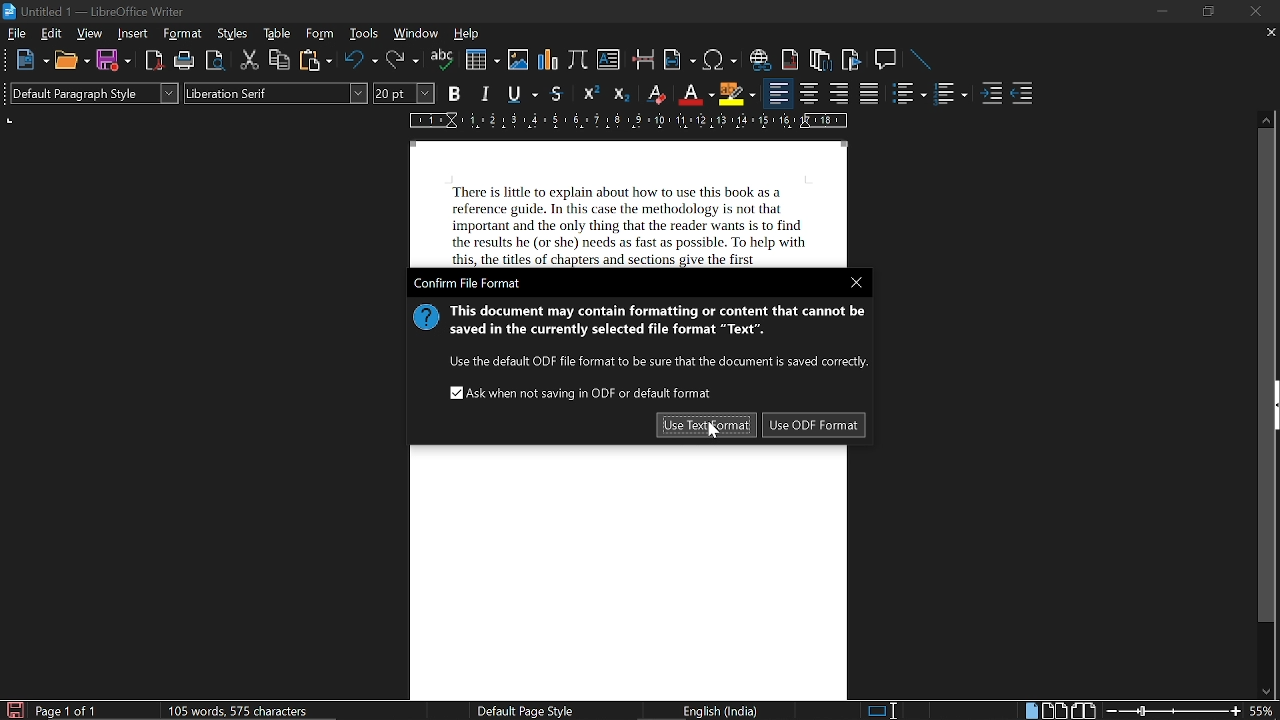  Describe the element at coordinates (1262, 692) in the screenshot. I see `move down` at that location.